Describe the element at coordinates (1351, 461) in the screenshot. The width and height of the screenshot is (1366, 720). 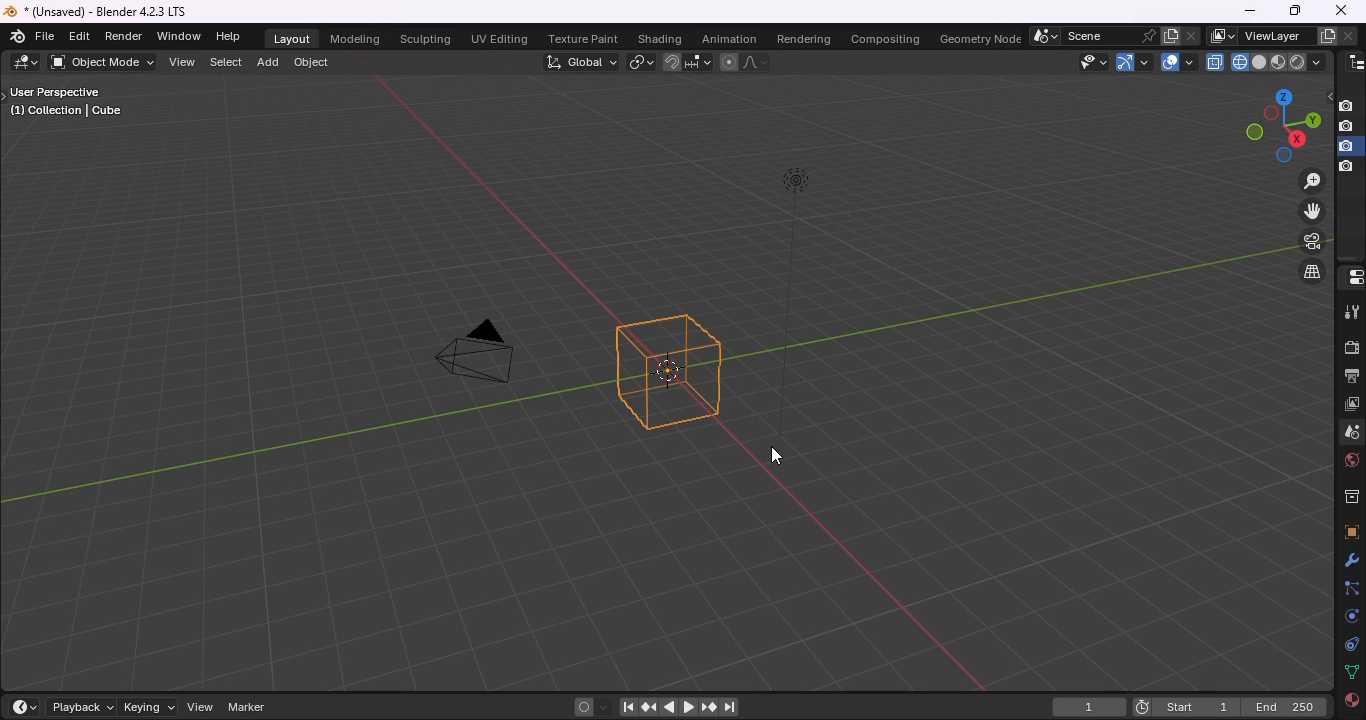
I see `world` at that location.